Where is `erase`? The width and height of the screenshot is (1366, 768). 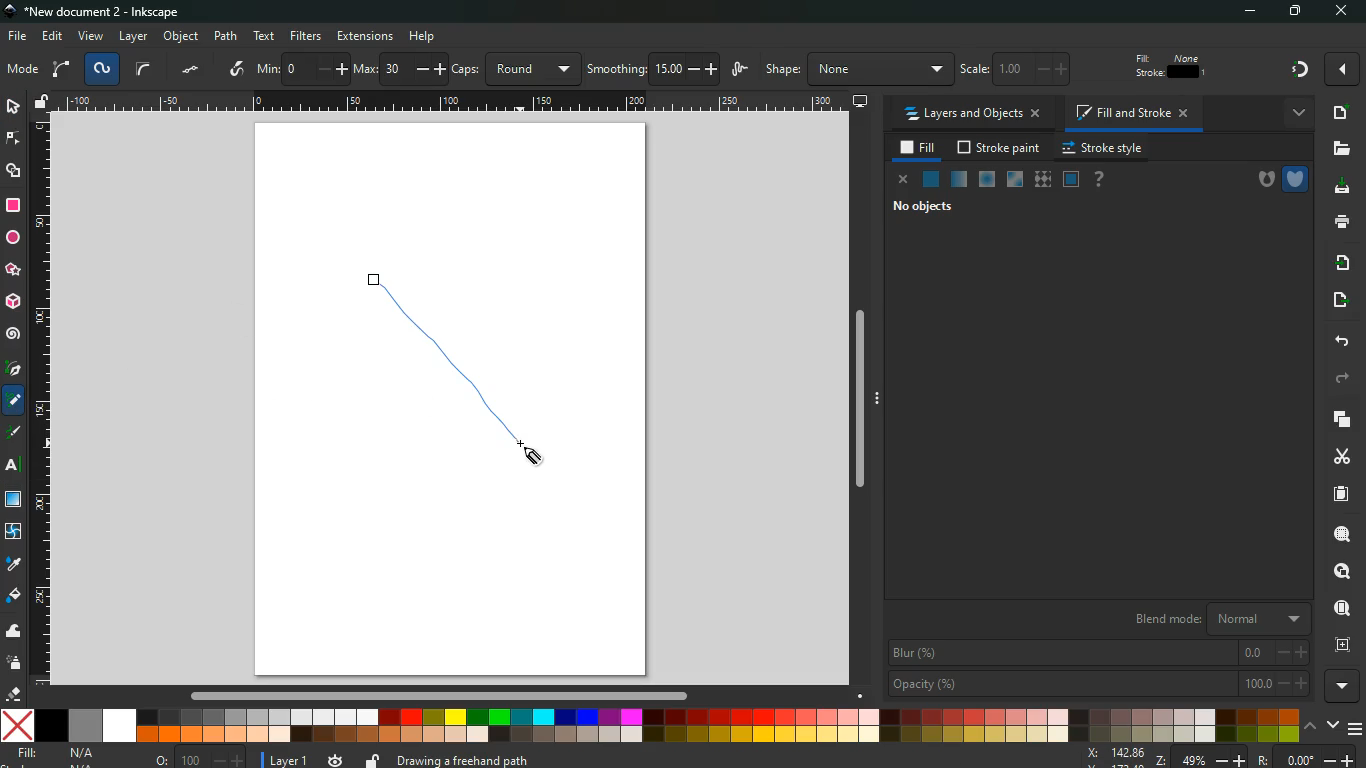 erase is located at coordinates (14, 695).